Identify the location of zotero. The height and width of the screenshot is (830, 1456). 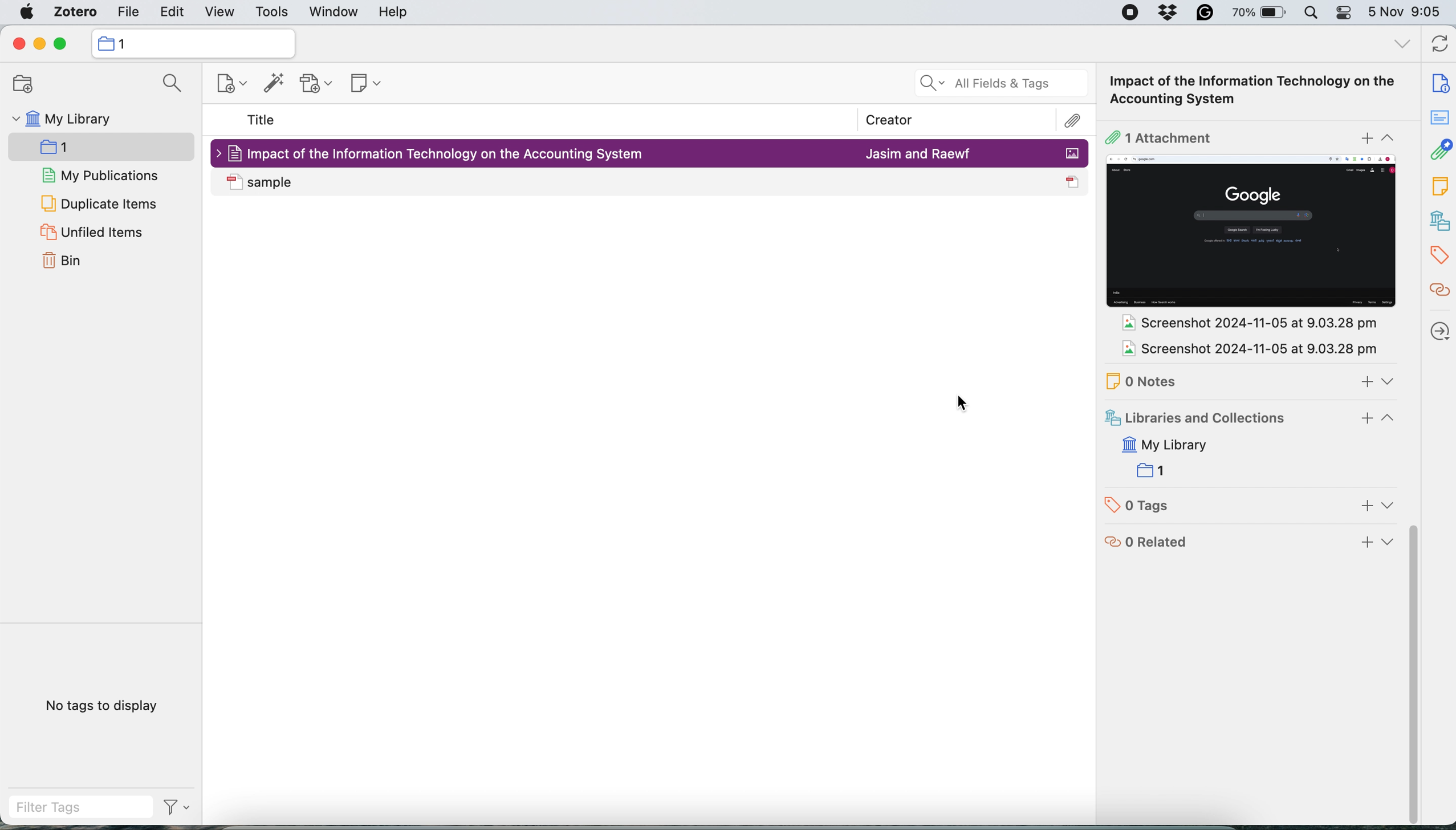
(71, 14).